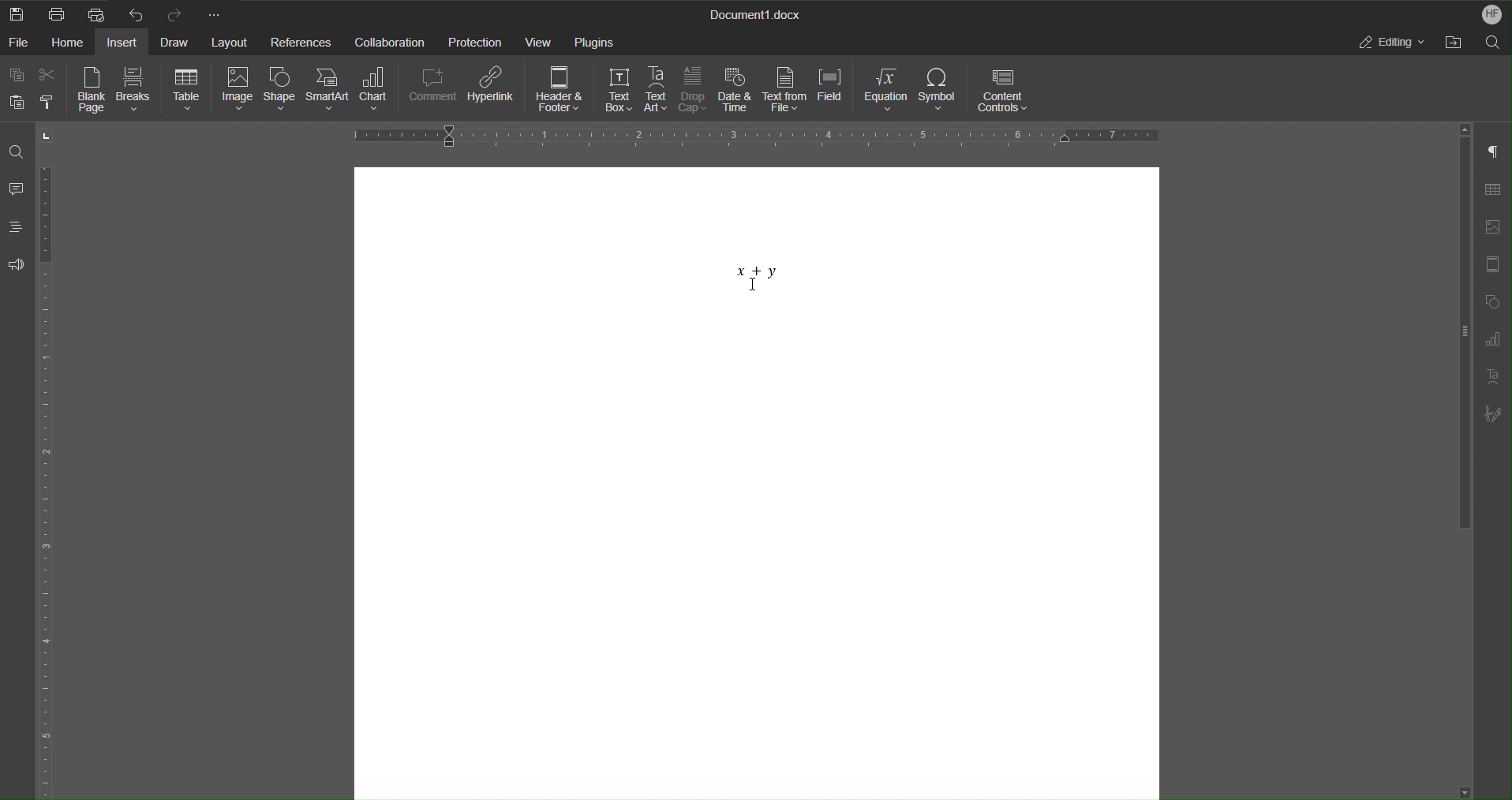 The image size is (1512, 800). What do you see at coordinates (1458, 43) in the screenshot?
I see `Open File Location` at bounding box center [1458, 43].